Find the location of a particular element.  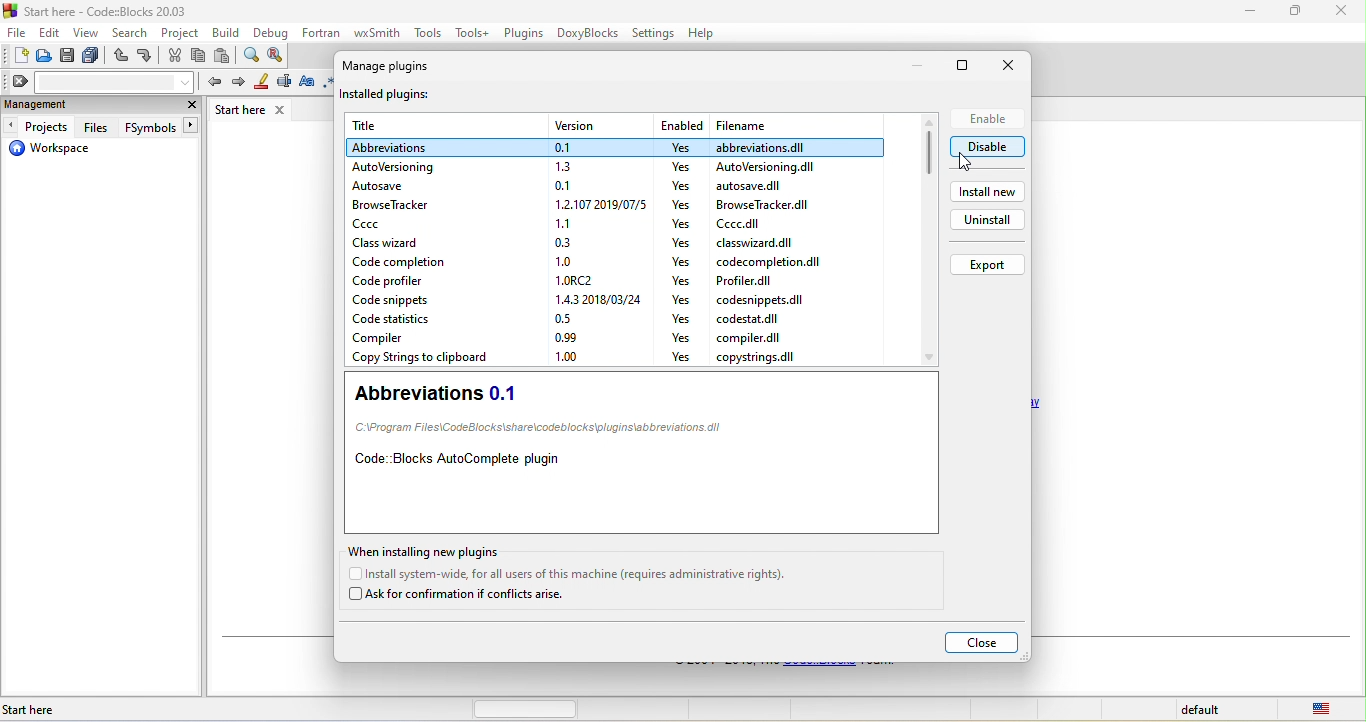

close is located at coordinates (1008, 67).